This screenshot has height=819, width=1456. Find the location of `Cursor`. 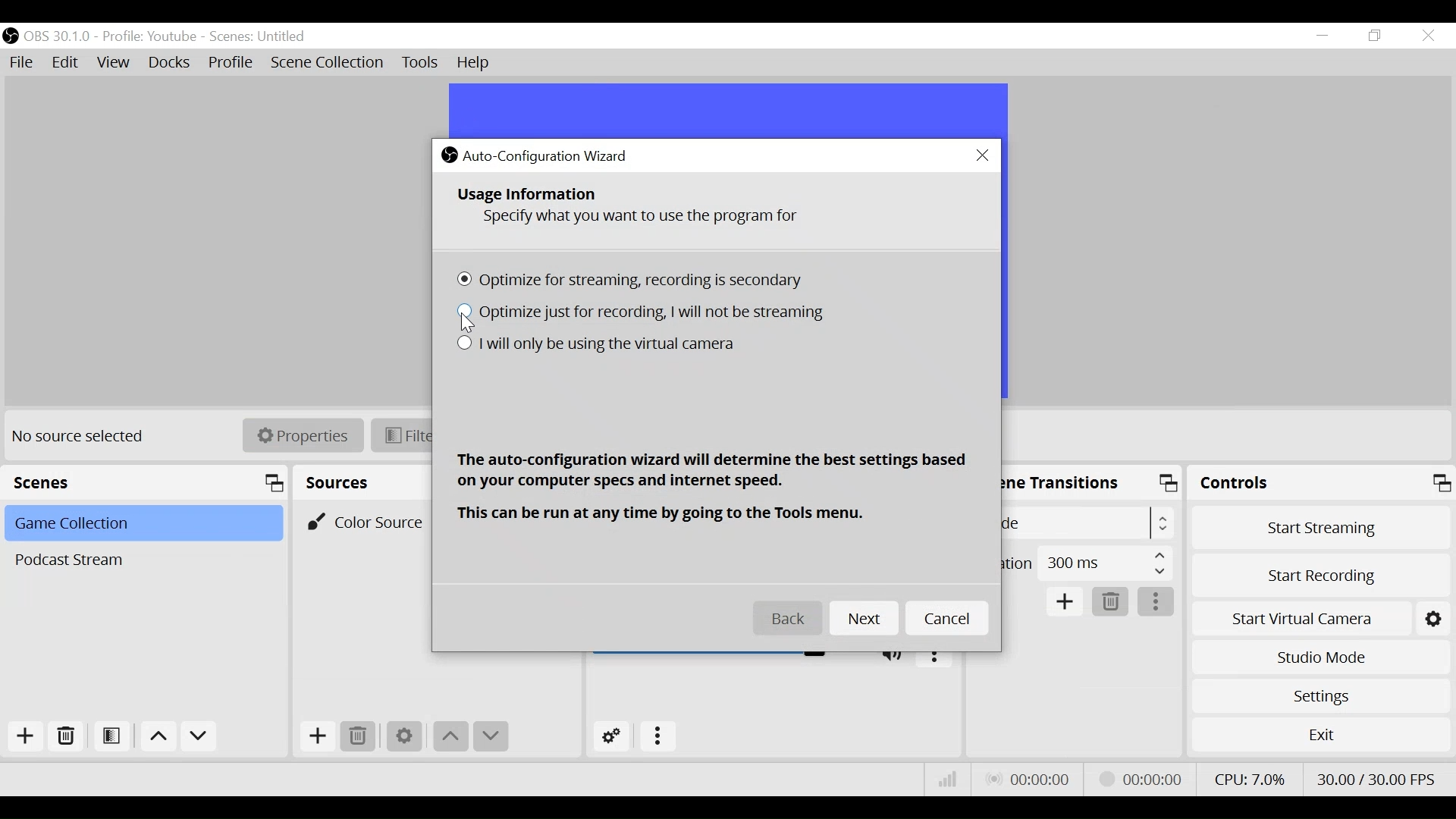

Cursor is located at coordinates (470, 324).